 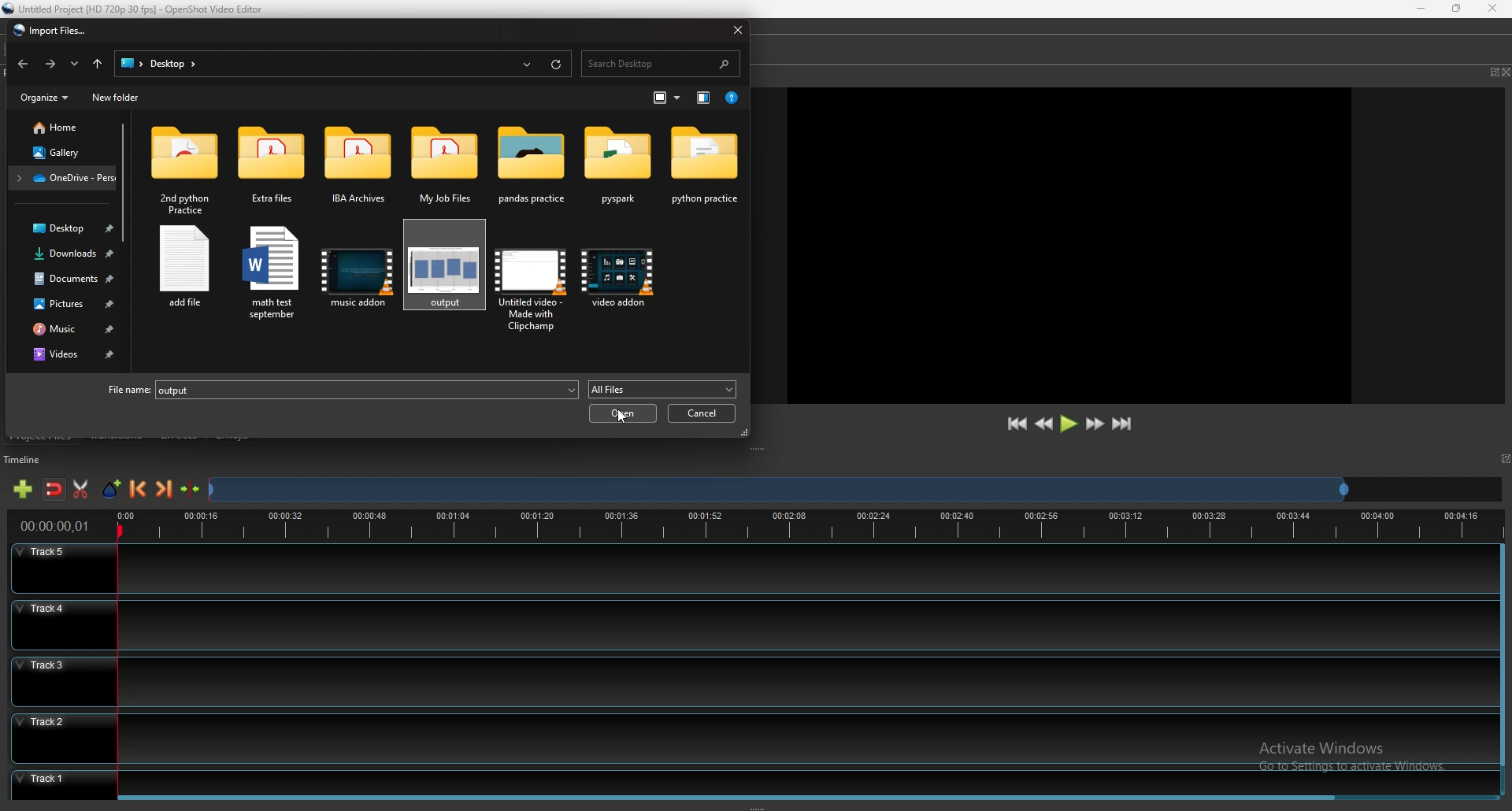 I want to click on downloads, so click(x=65, y=254).